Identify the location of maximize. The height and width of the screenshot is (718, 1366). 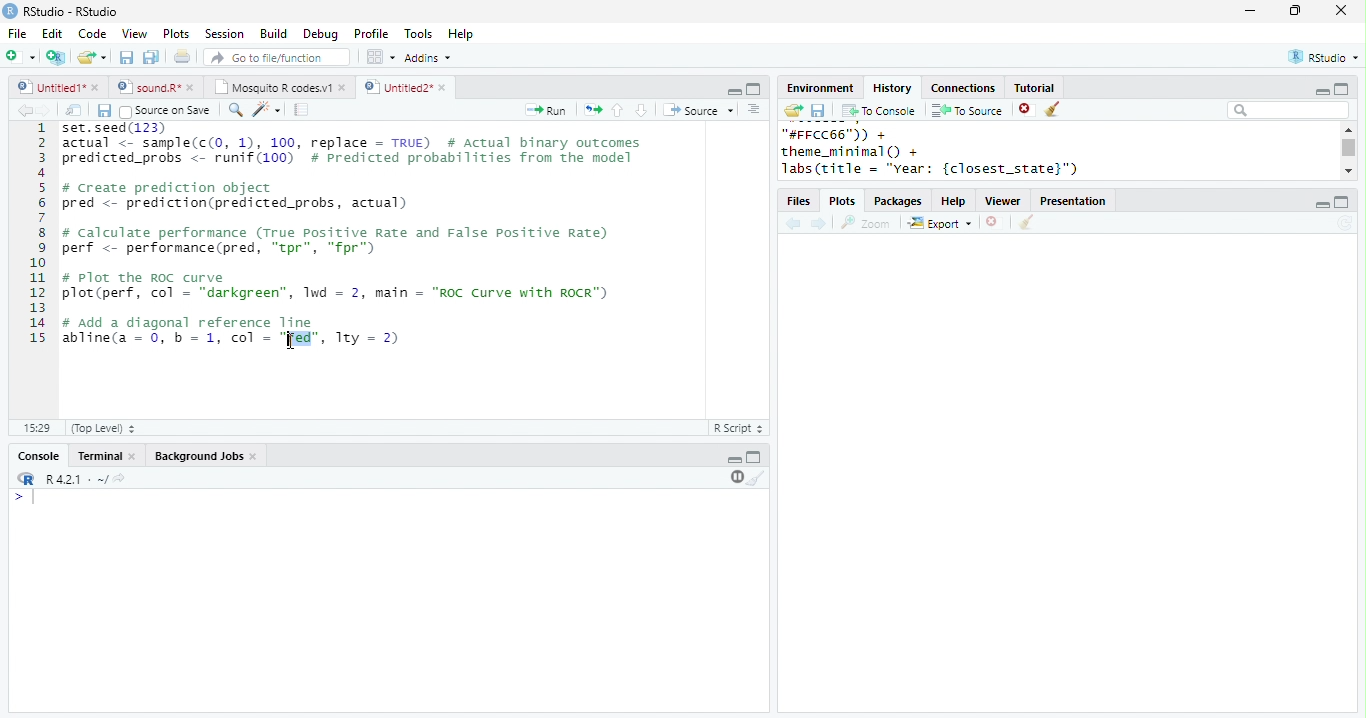
(754, 456).